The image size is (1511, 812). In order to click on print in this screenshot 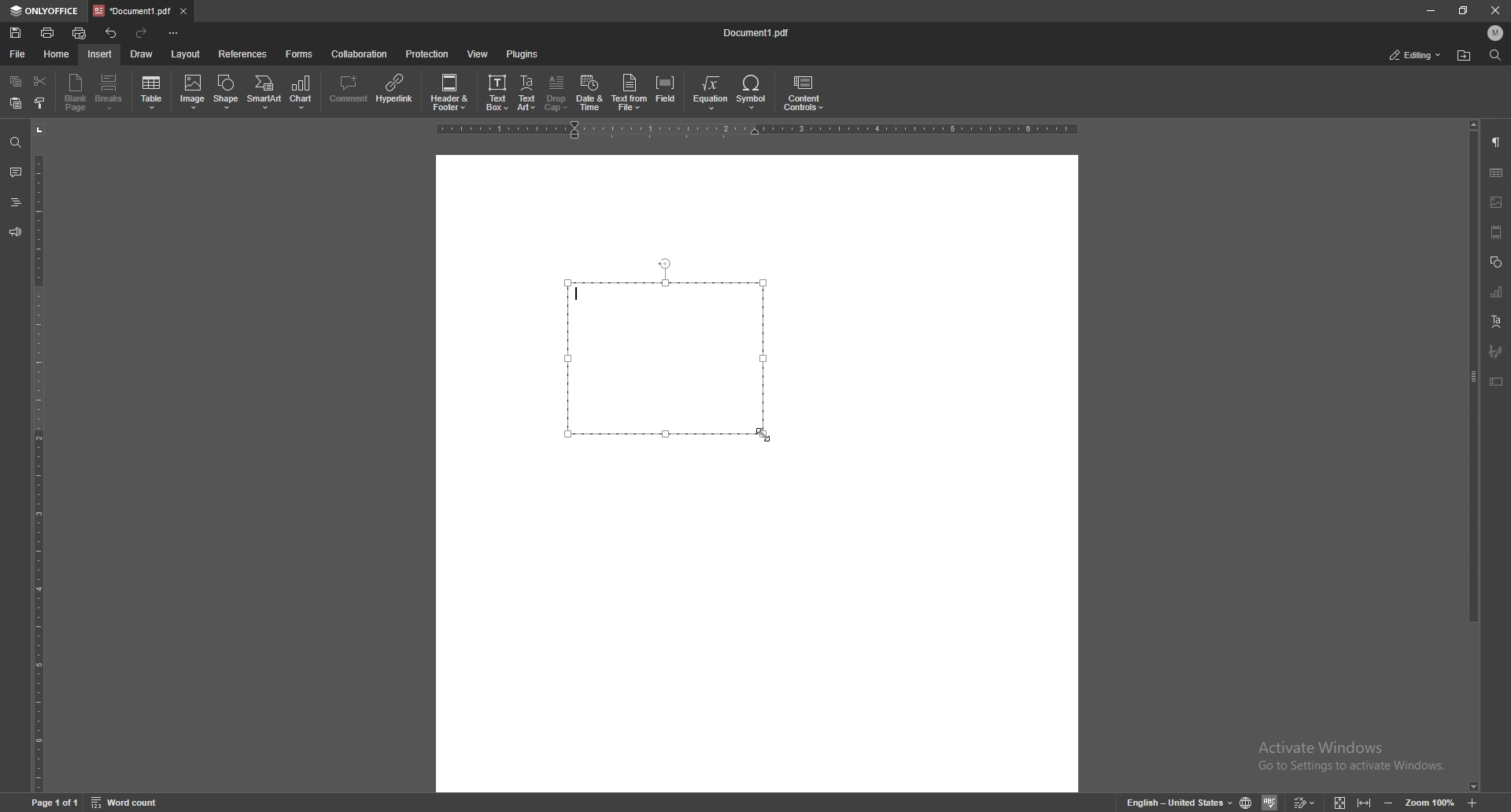, I will do `click(47, 33)`.